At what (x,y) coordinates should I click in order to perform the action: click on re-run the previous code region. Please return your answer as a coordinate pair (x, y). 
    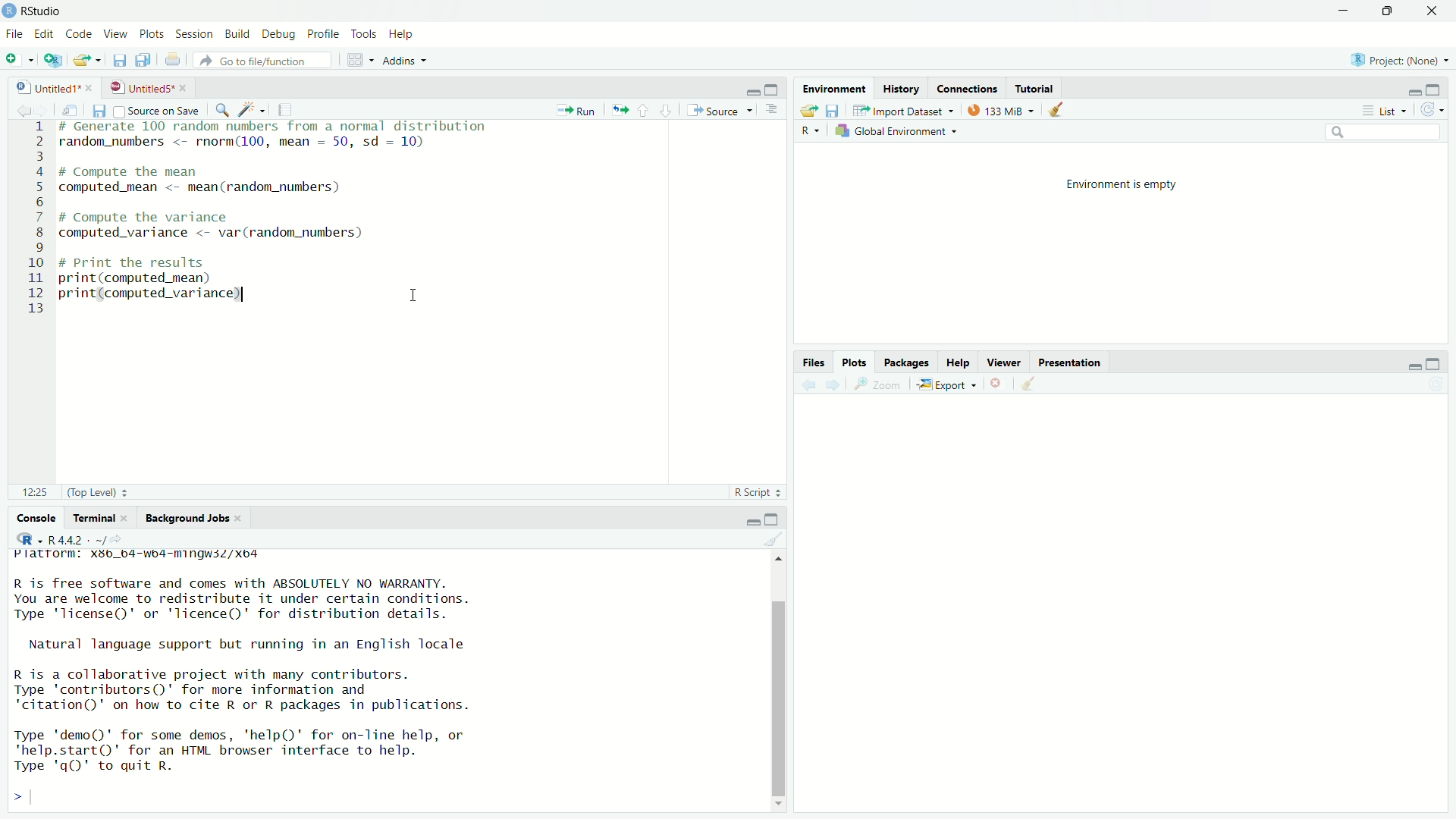
    Looking at the image, I should click on (618, 111).